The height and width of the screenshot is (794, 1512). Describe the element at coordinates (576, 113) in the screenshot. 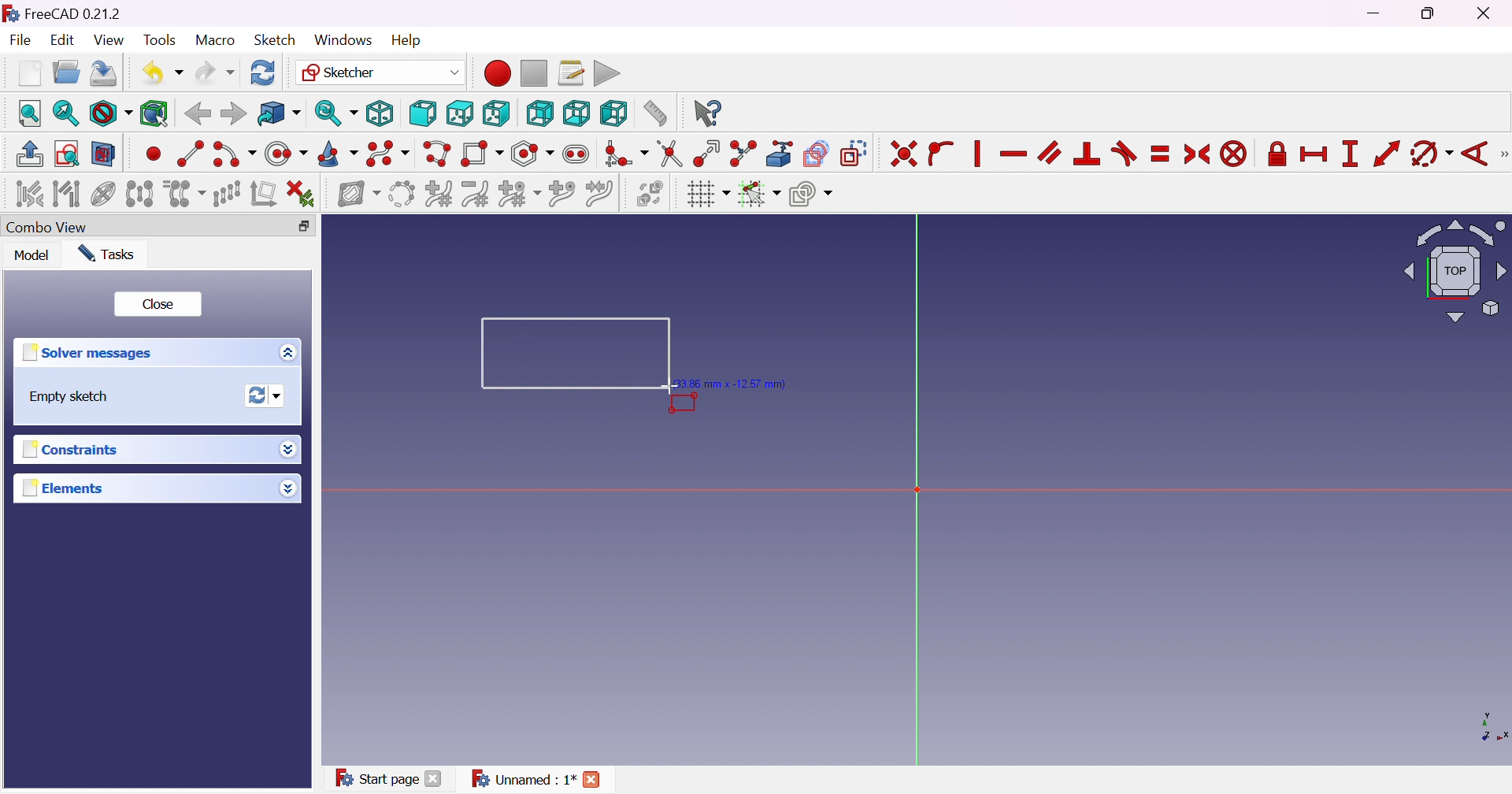

I see `Bottom` at that location.